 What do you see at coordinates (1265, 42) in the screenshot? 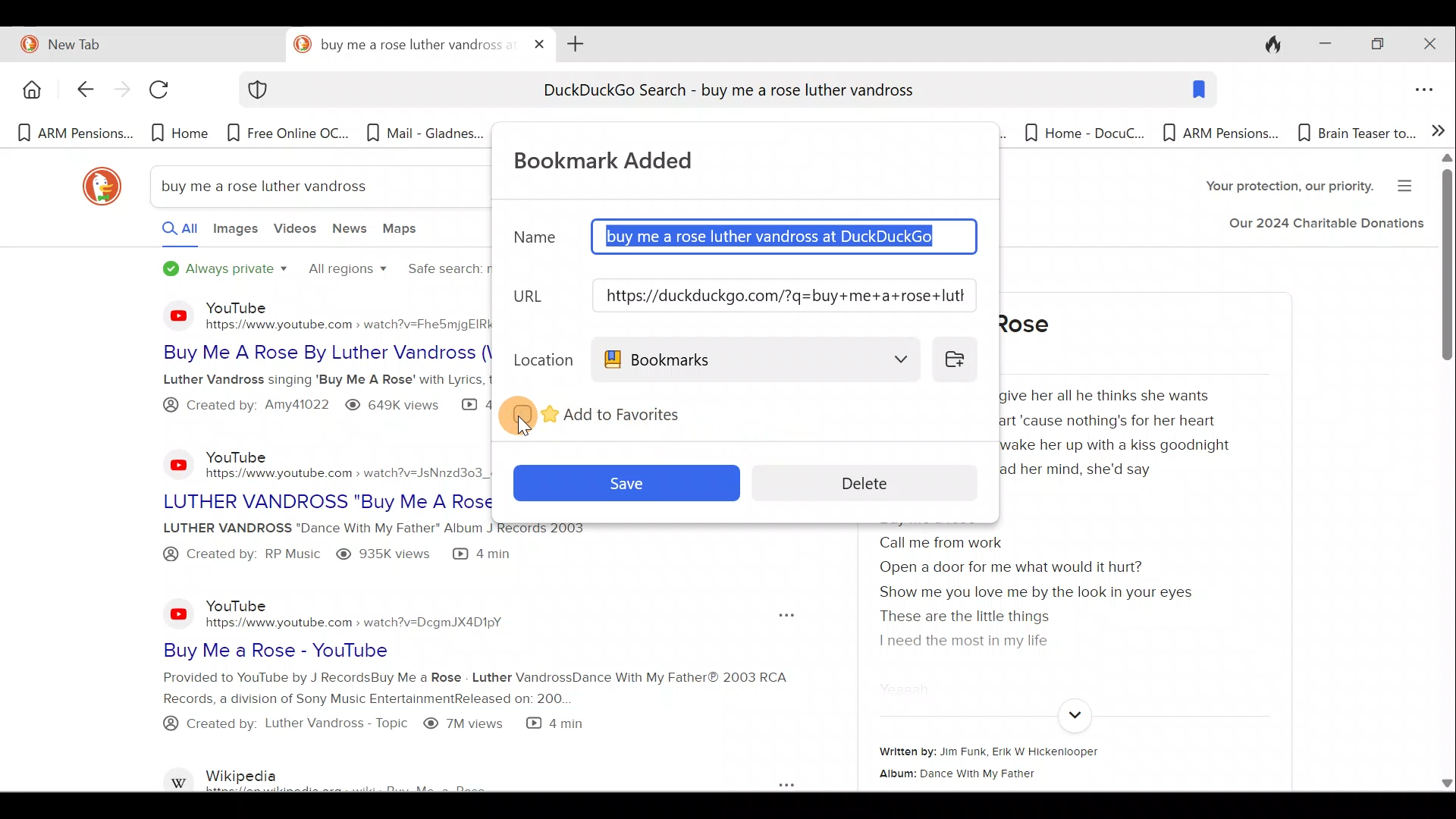
I see `Close tabs and clear data` at bounding box center [1265, 42].